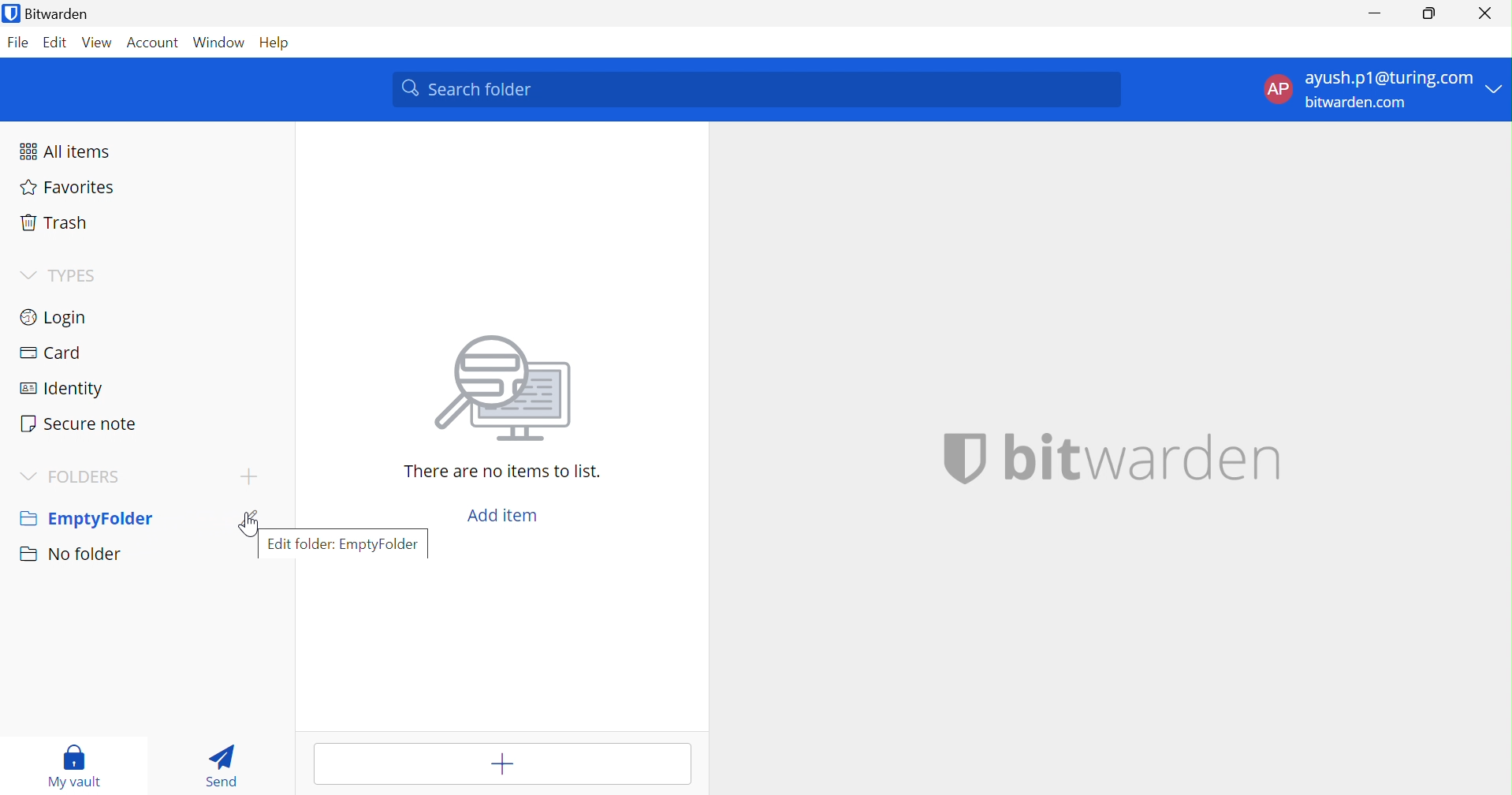 This screenshot has width=1512, height=795. Describe the element at coordinates (75, 766) in the screenshot. I see `My Vault` at that location.